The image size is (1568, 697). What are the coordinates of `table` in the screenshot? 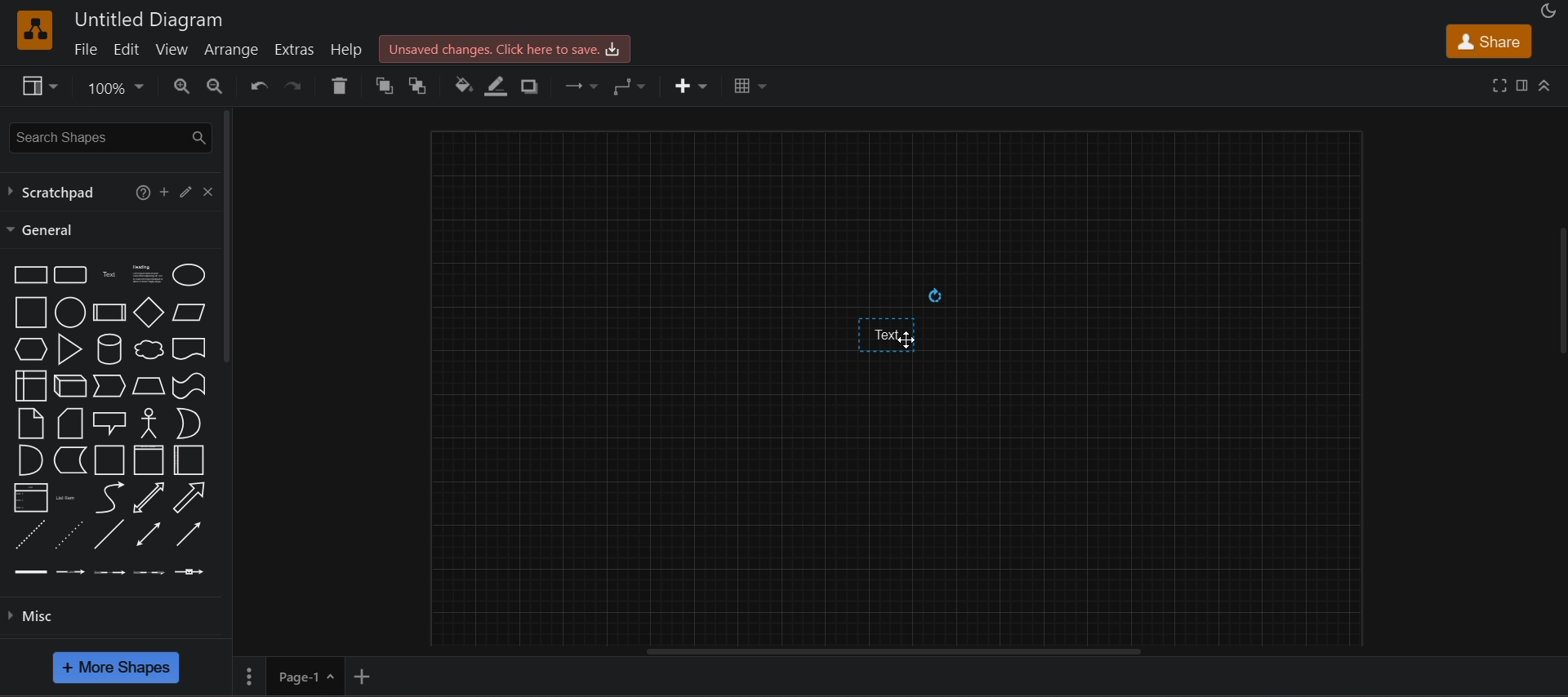 It's located at (751, 87).